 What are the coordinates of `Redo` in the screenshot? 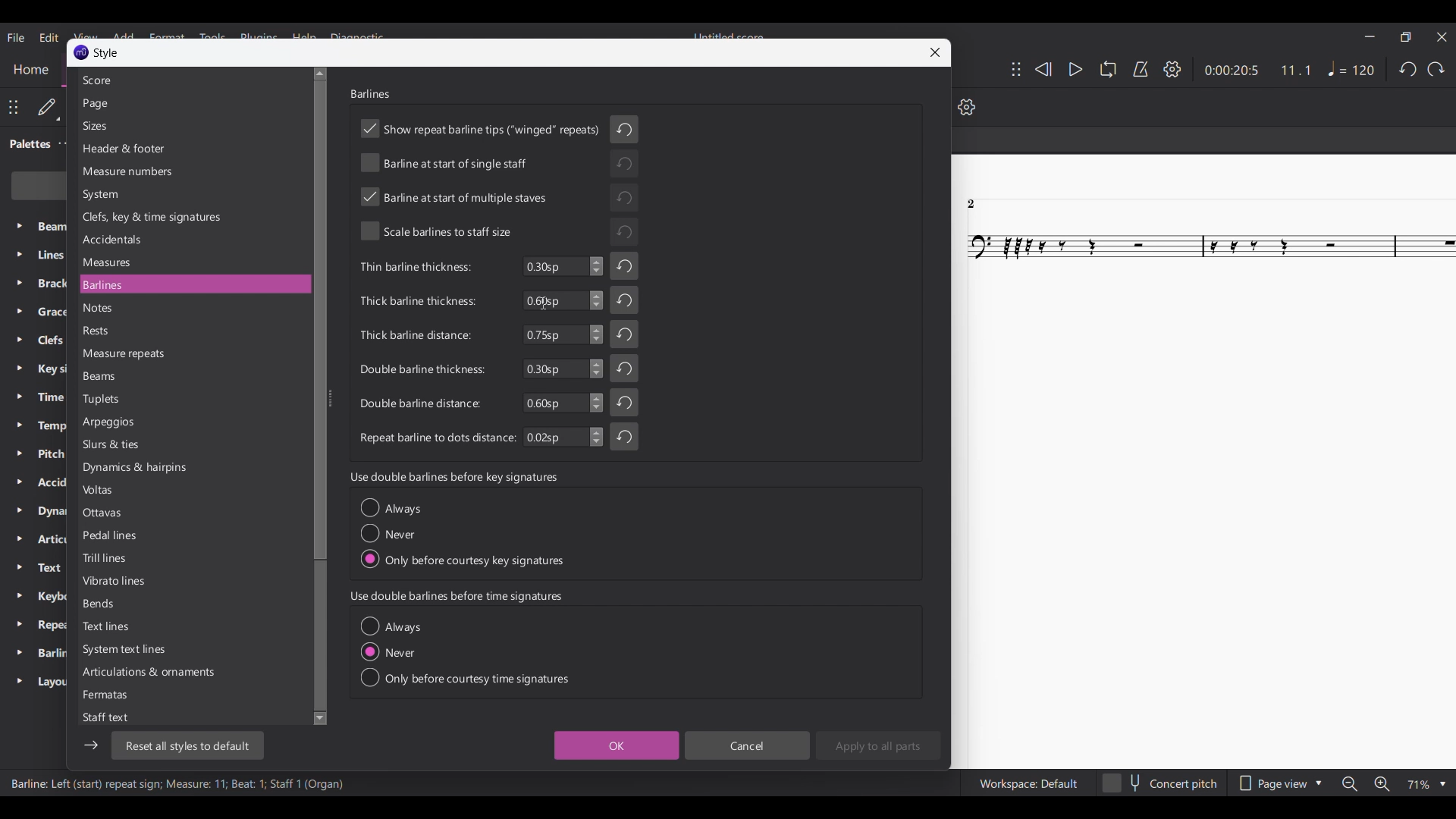 It's located at (1436, 69).